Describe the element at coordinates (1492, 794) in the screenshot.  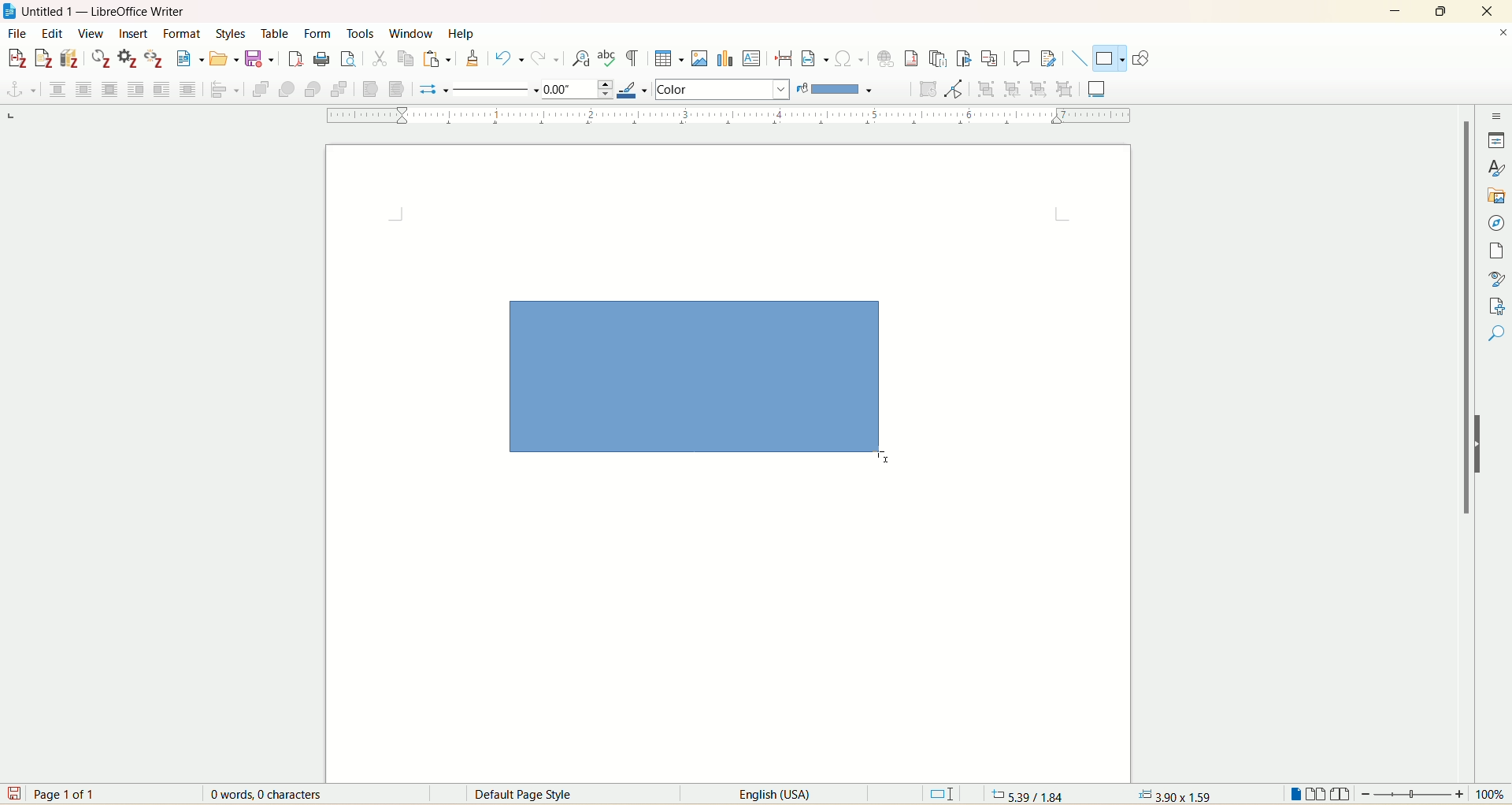
I see `zoom percent` at that location.